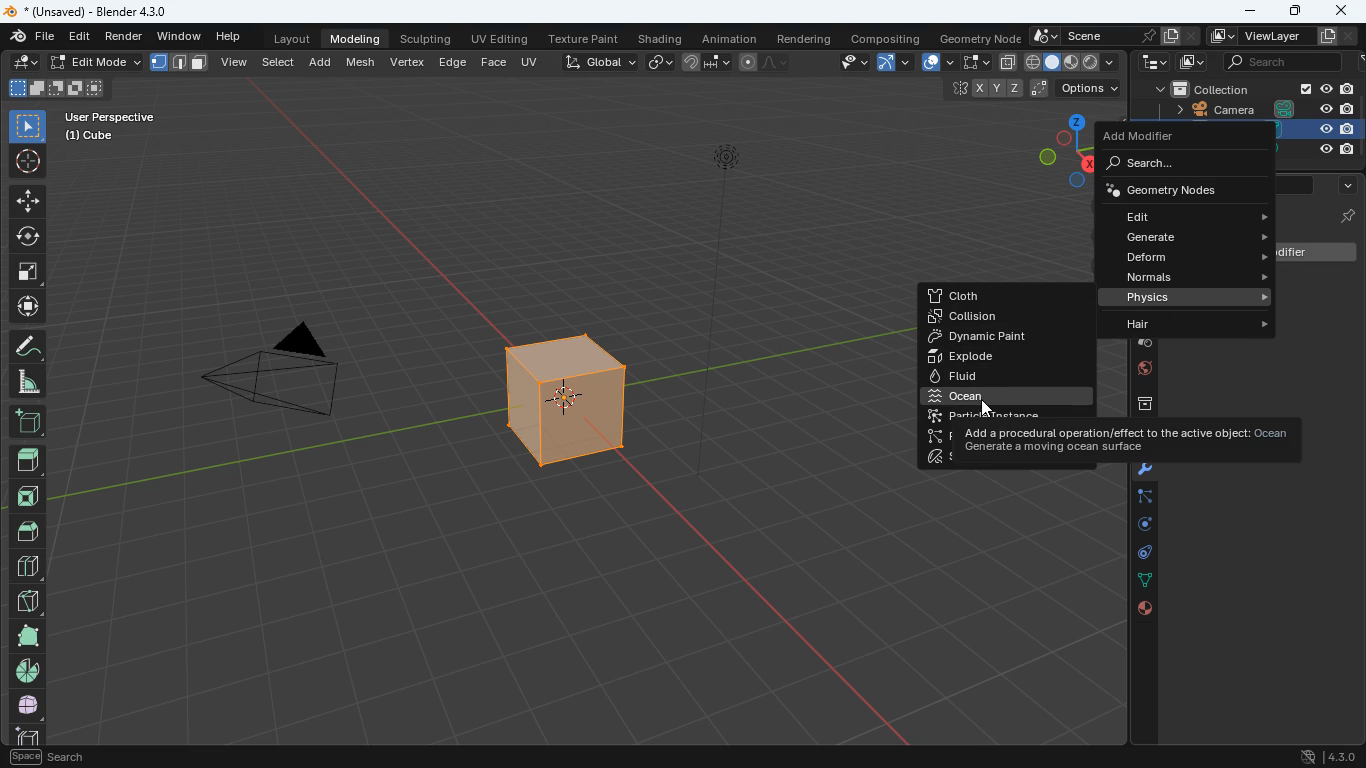 This screenshot has width=1366, height=768. I want to click on cloth, so click(981, 295).